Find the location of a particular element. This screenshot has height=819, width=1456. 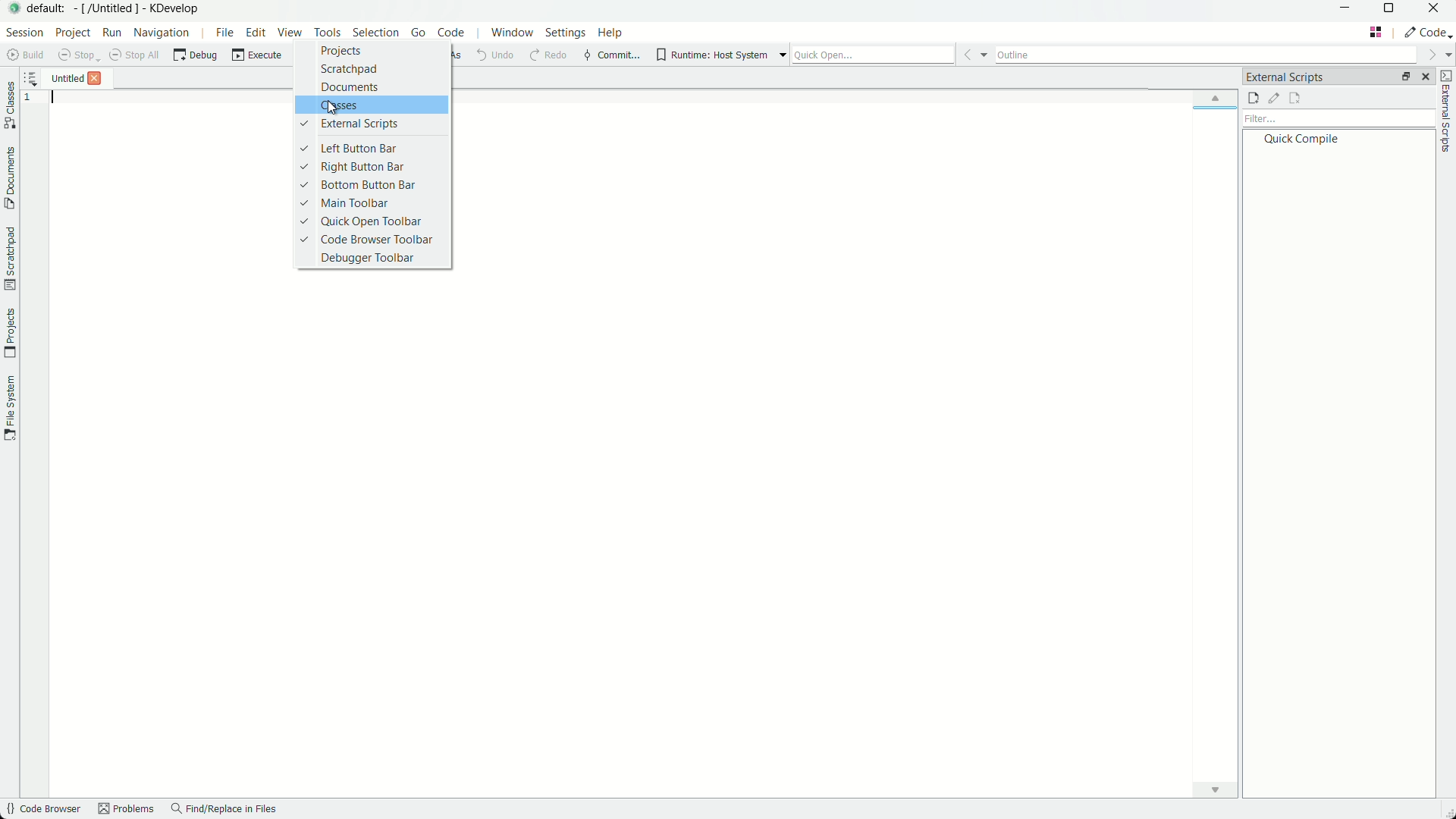

redo is located at coordinates (549, 56).